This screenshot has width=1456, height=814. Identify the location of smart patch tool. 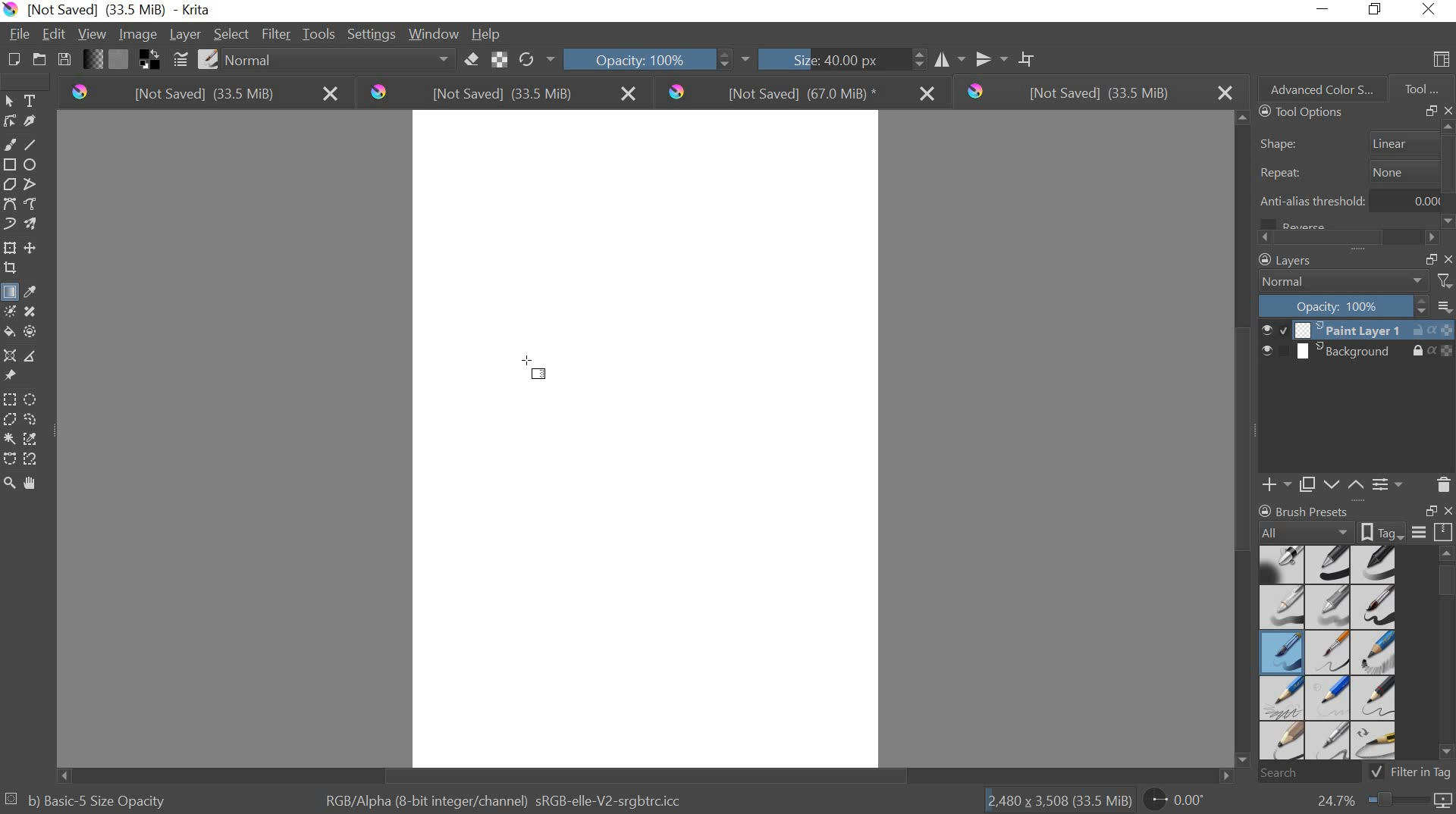
(35, 310).